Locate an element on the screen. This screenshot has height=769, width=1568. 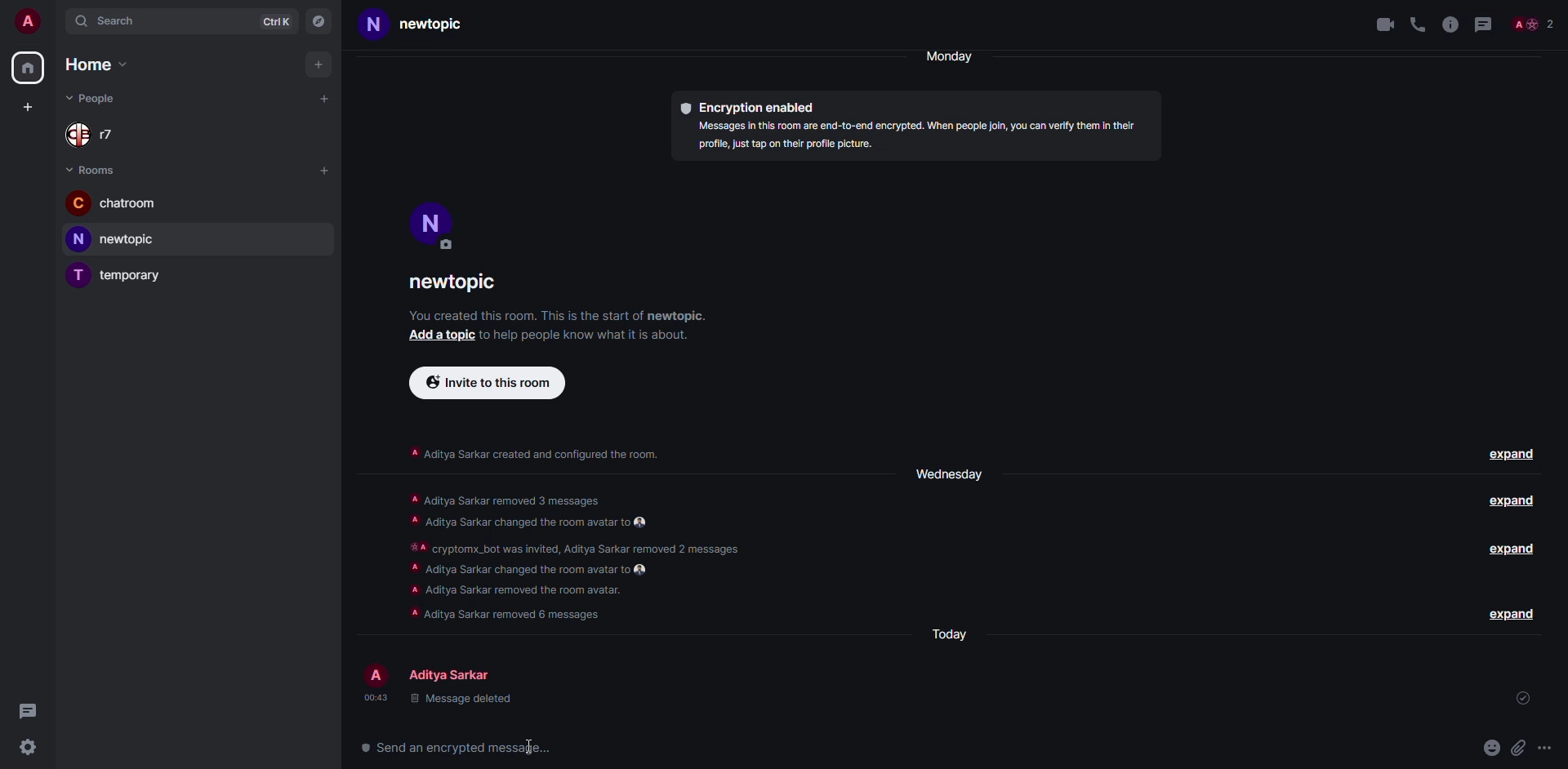
home is located at coordinates (29, 68).